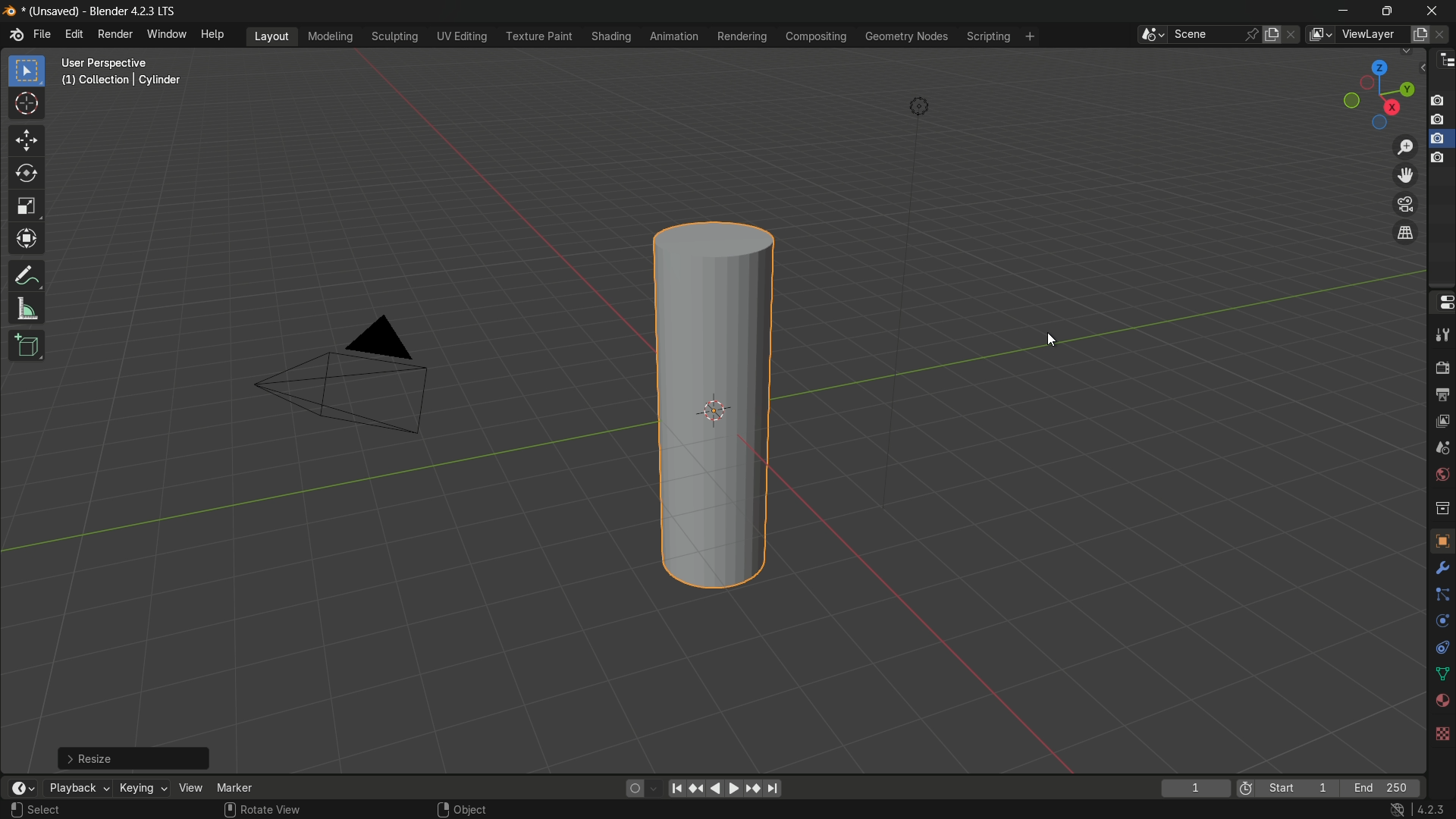 The height and width of the screenshot is (819, 1456). Describe the element at coordinates (1441, 397) in the screenshot. I see `output` at that location.